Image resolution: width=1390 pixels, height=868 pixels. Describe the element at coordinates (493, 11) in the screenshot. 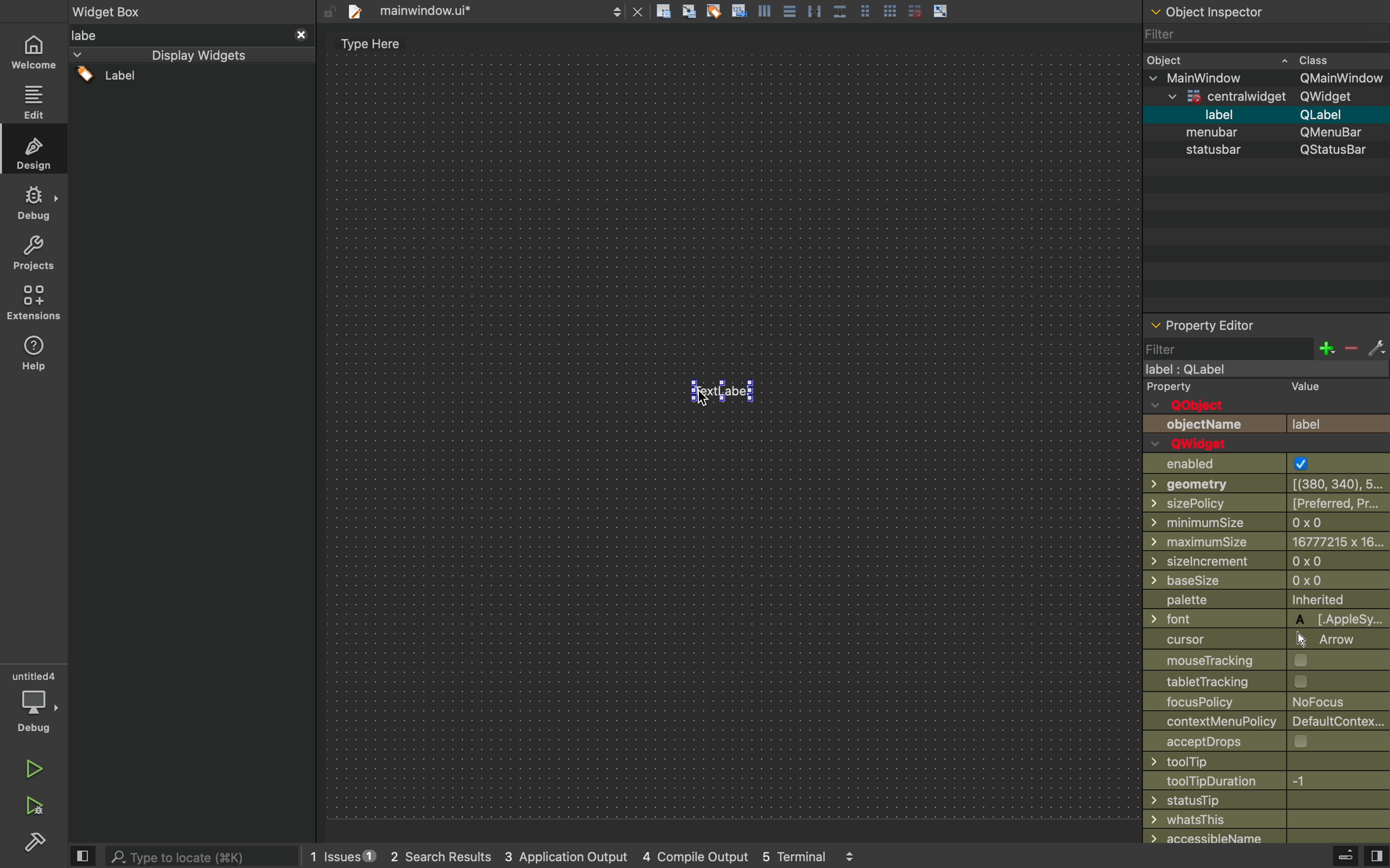

I see `file` at that location.